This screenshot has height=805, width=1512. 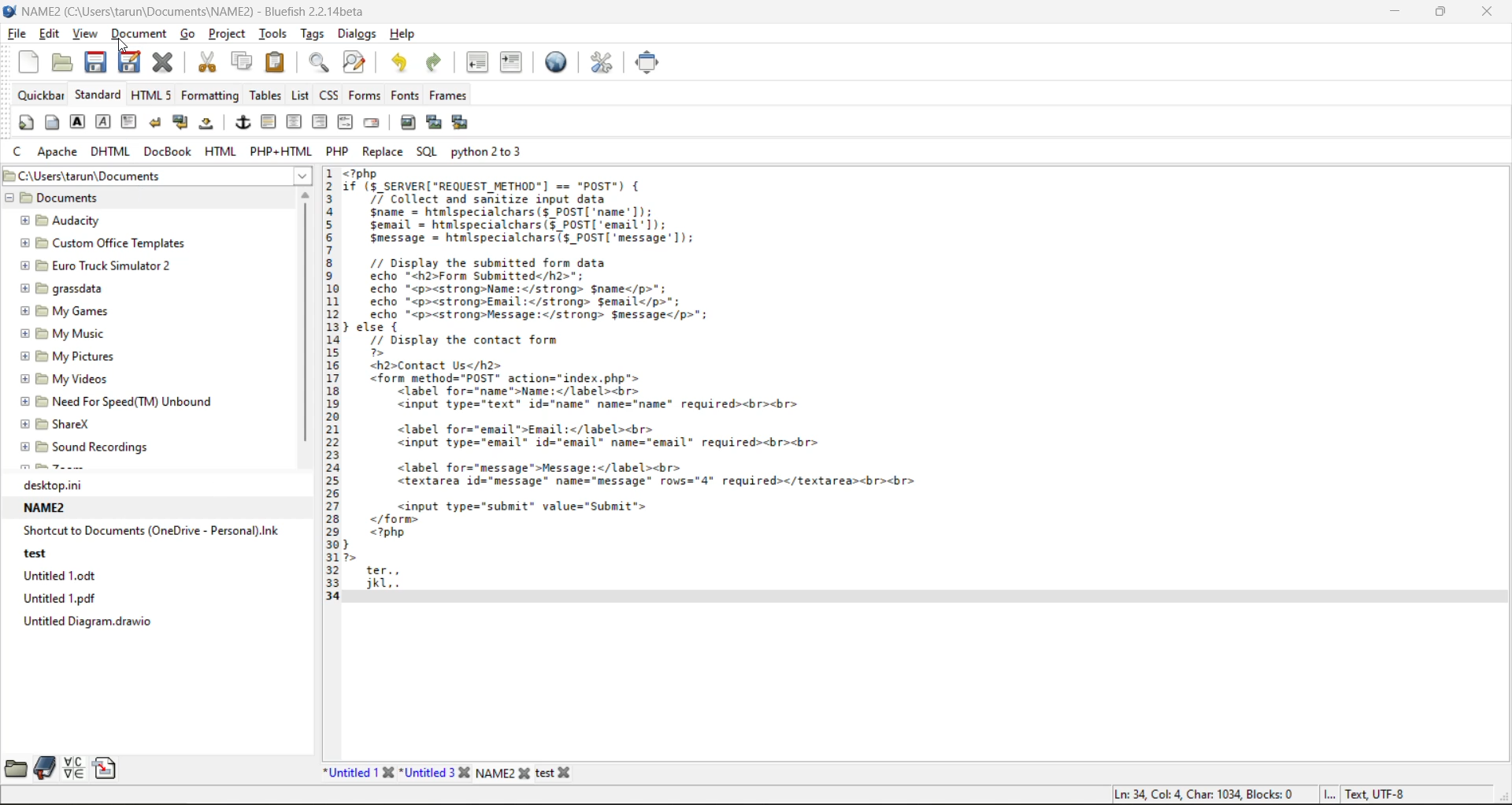 What do you see at coordinates (316, 33) in the screenshot?
I see `tags` at bounding box center [316, 33].